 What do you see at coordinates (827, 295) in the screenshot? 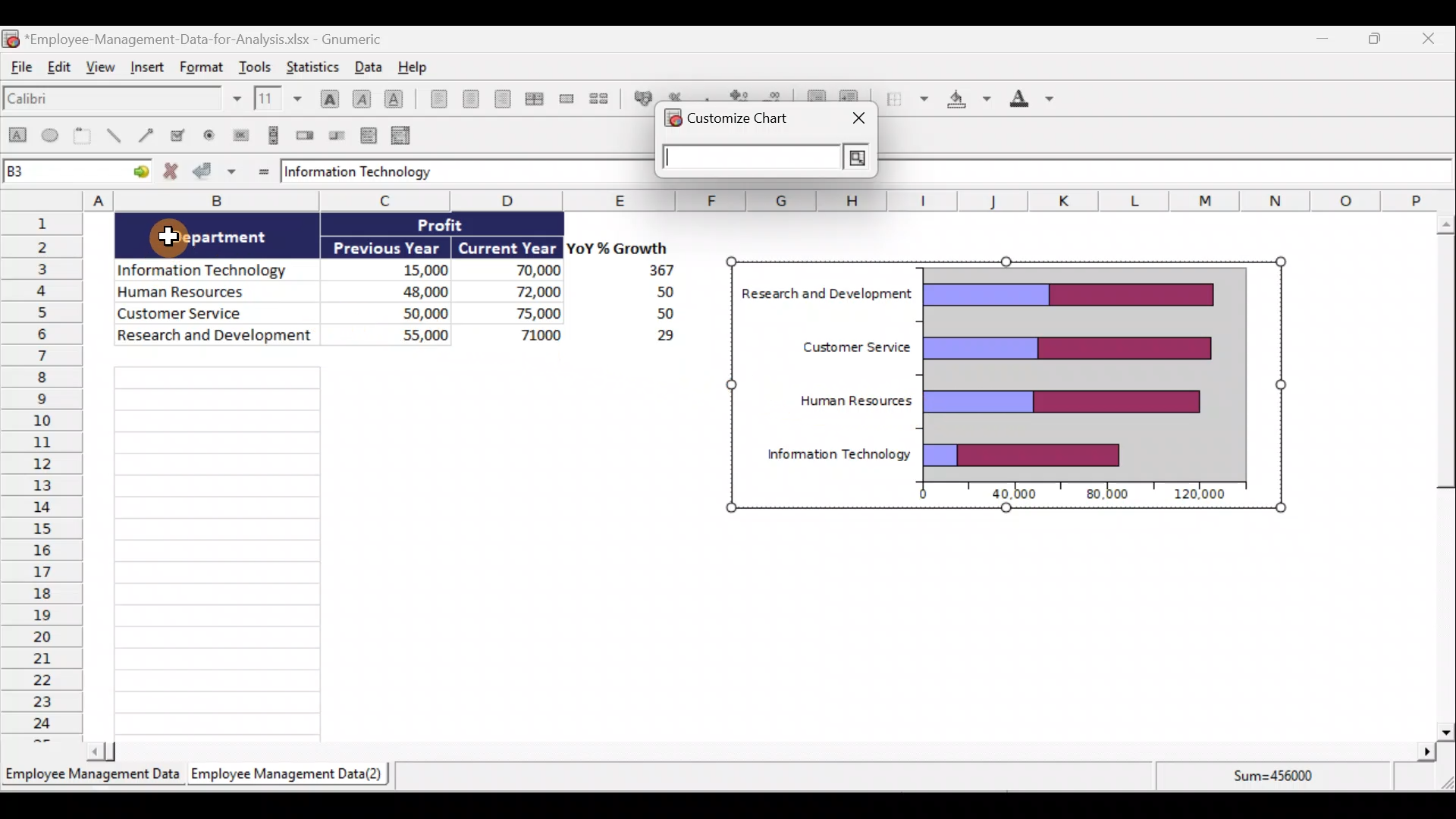
I see `Research and Development` at bounding box center [827, 295].